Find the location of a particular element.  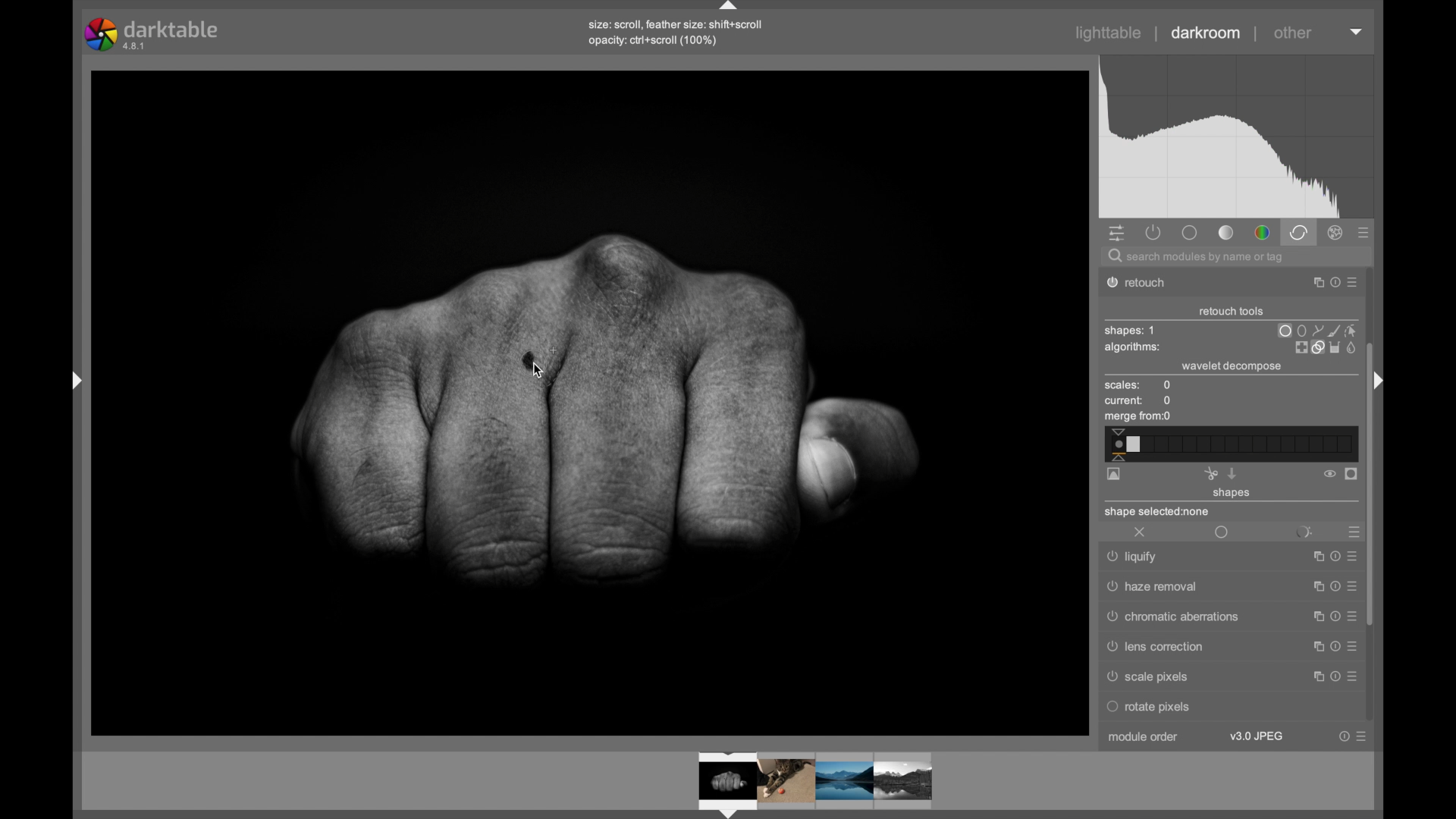

merge from: 0 is located at coordinates (1138, 418).